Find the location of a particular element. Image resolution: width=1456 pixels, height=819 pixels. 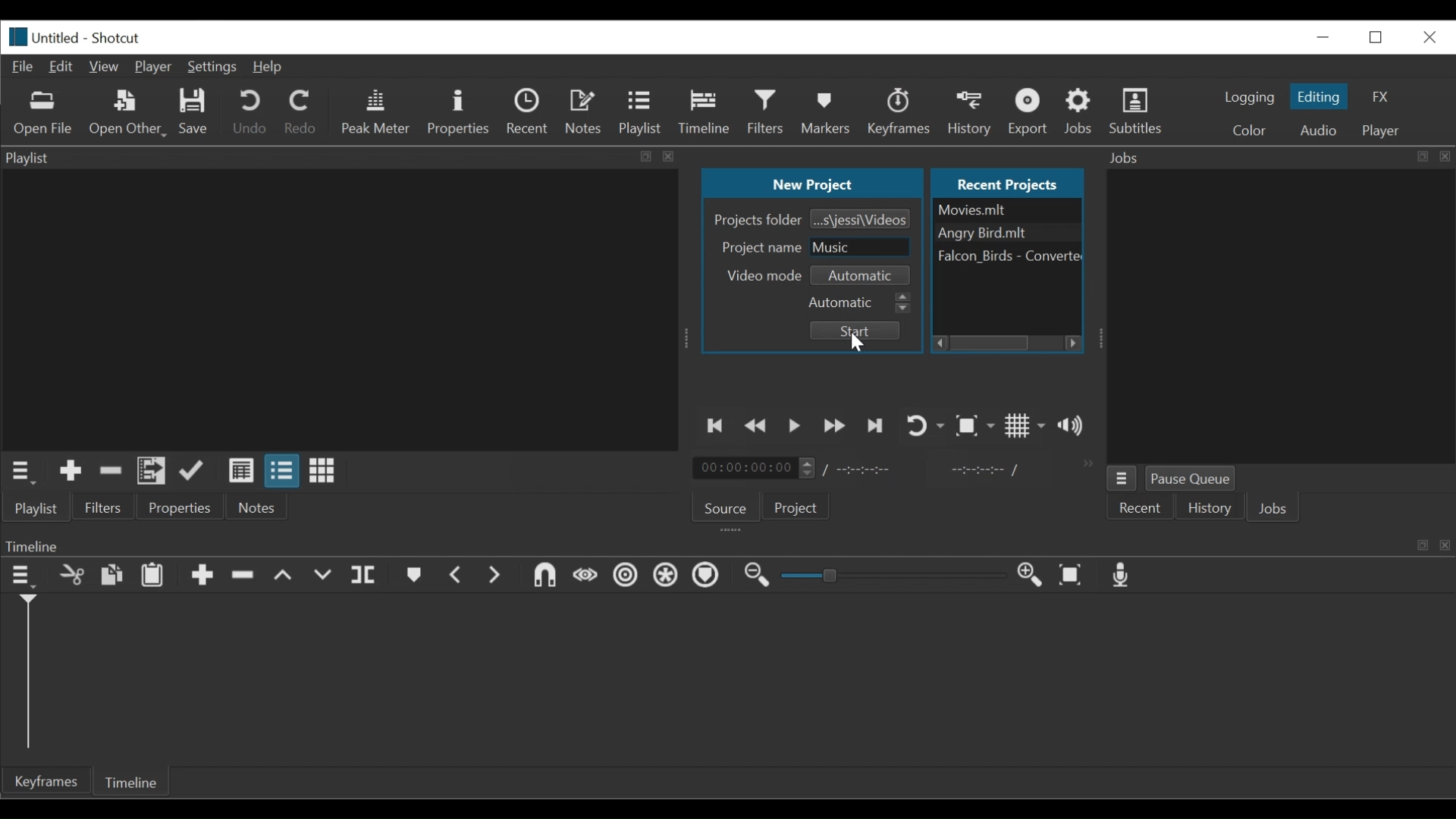

Show volume control is located at coordinates (1075, 428).